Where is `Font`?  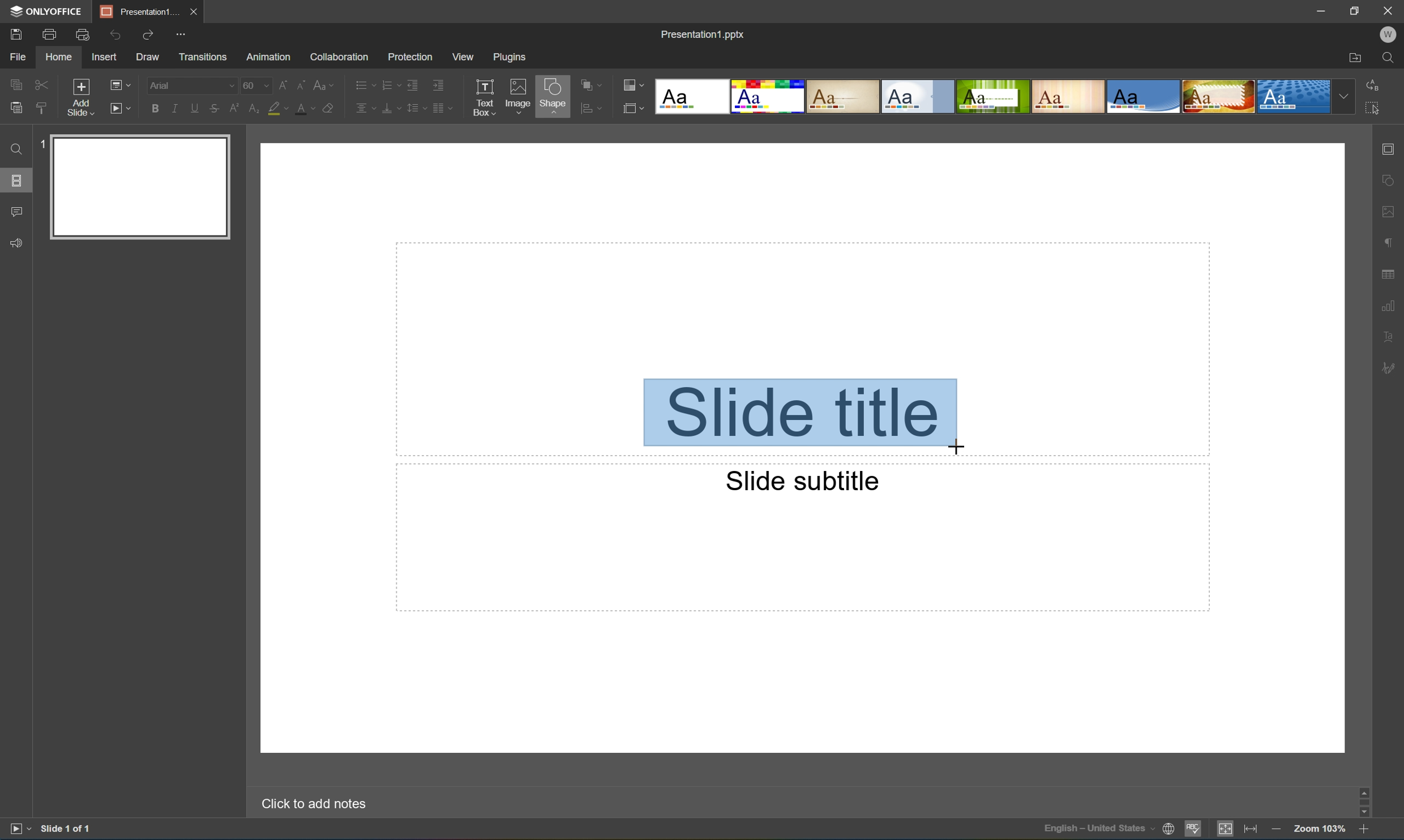
Font is located at coordinates (191, 85).